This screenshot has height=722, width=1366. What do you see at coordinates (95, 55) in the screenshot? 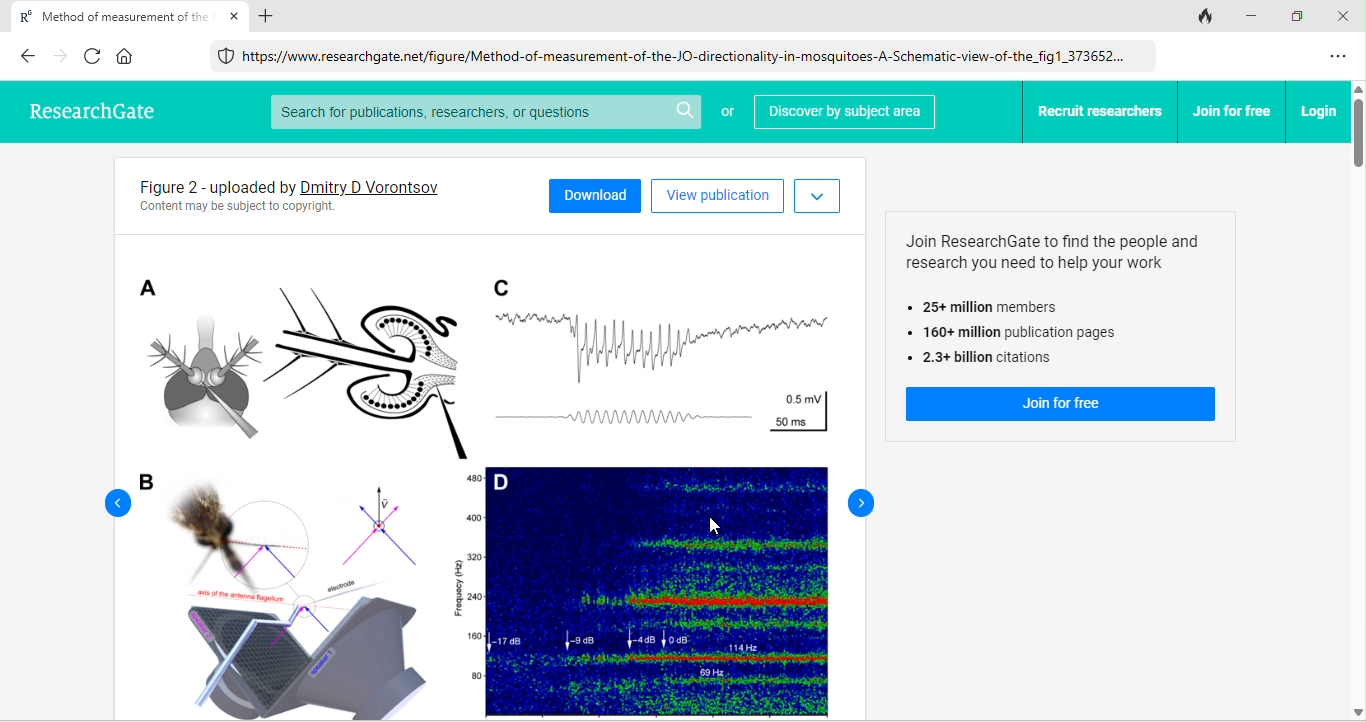
I see `reload` at bounding box center [95, 55].